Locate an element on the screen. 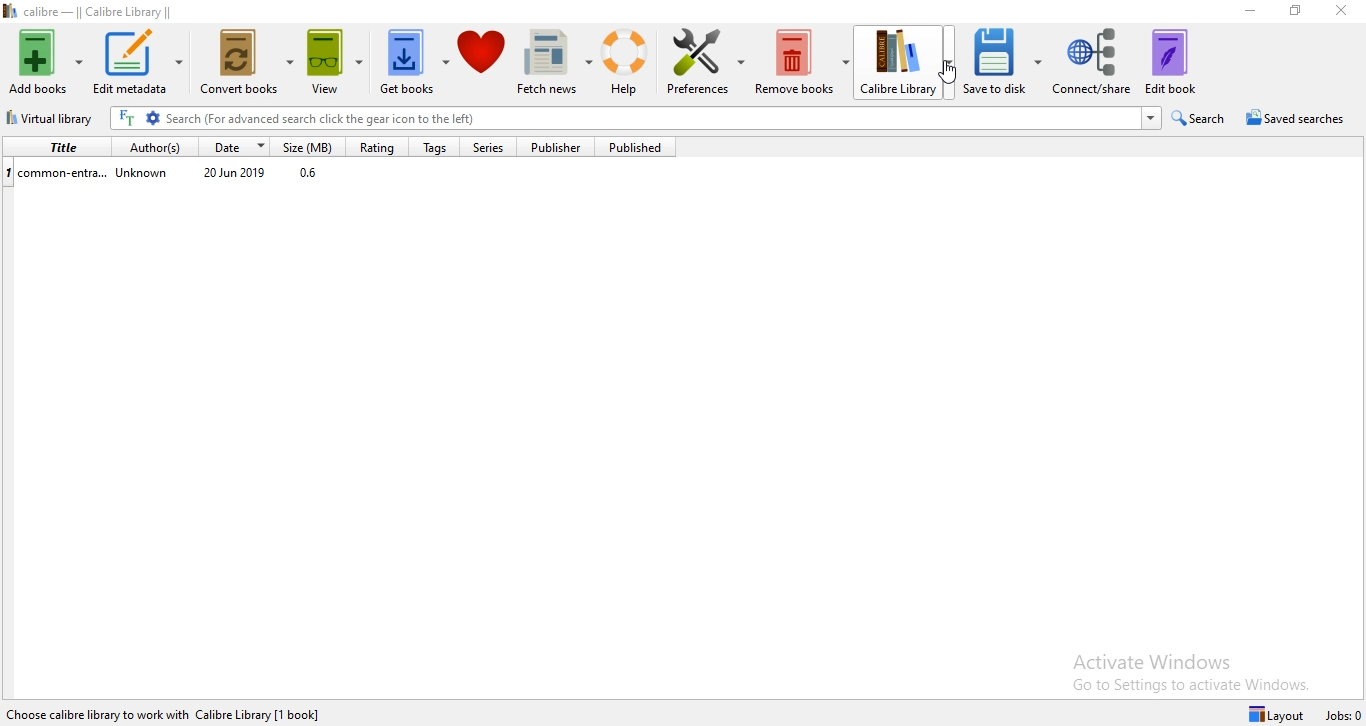 The height and width of the screenshot is (726, 1366). Connect/share is located at coordinates (1093, 62).